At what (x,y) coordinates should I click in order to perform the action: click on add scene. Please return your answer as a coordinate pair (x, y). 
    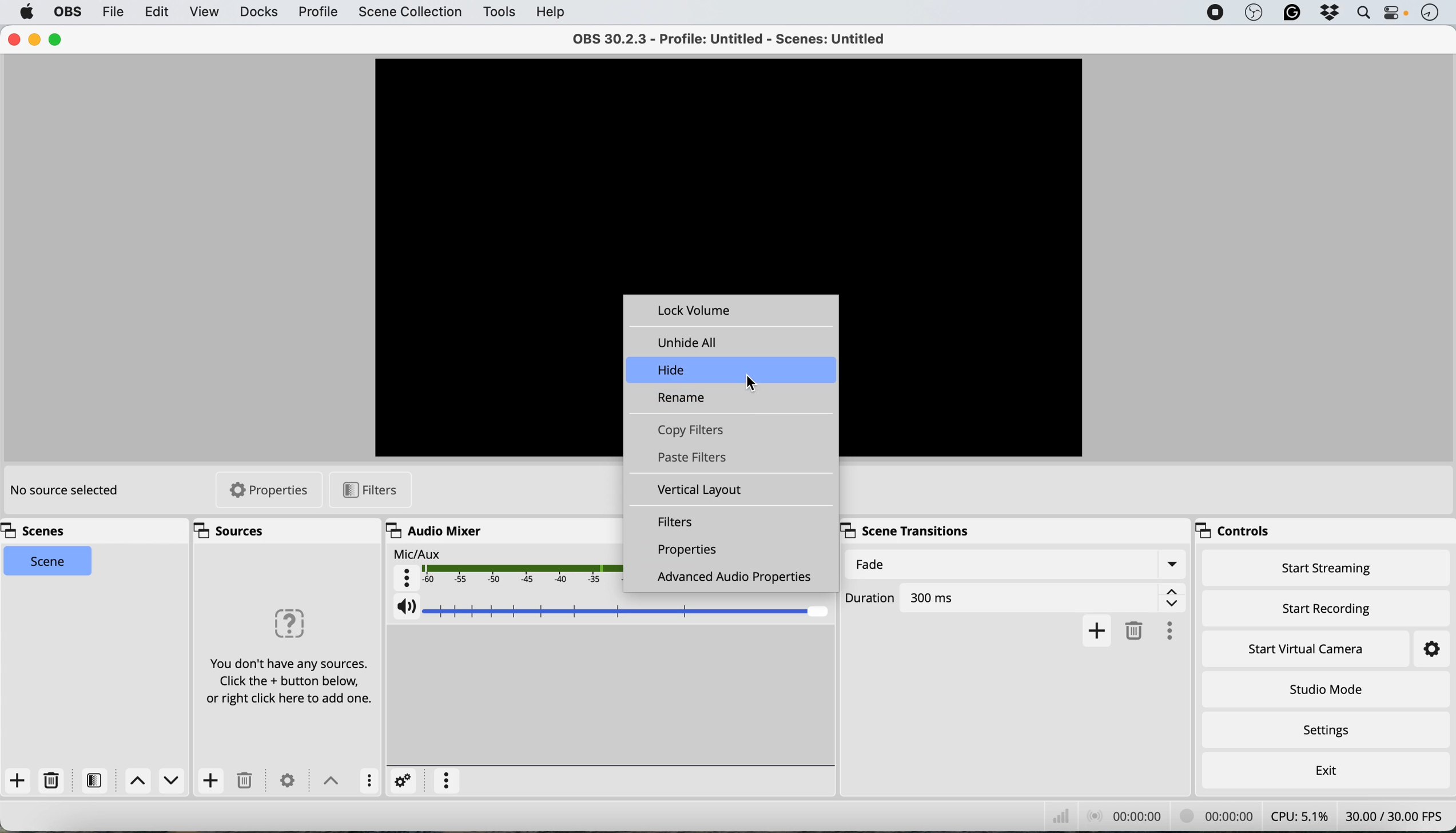
    Looking at the image, I should click on (15, 780).